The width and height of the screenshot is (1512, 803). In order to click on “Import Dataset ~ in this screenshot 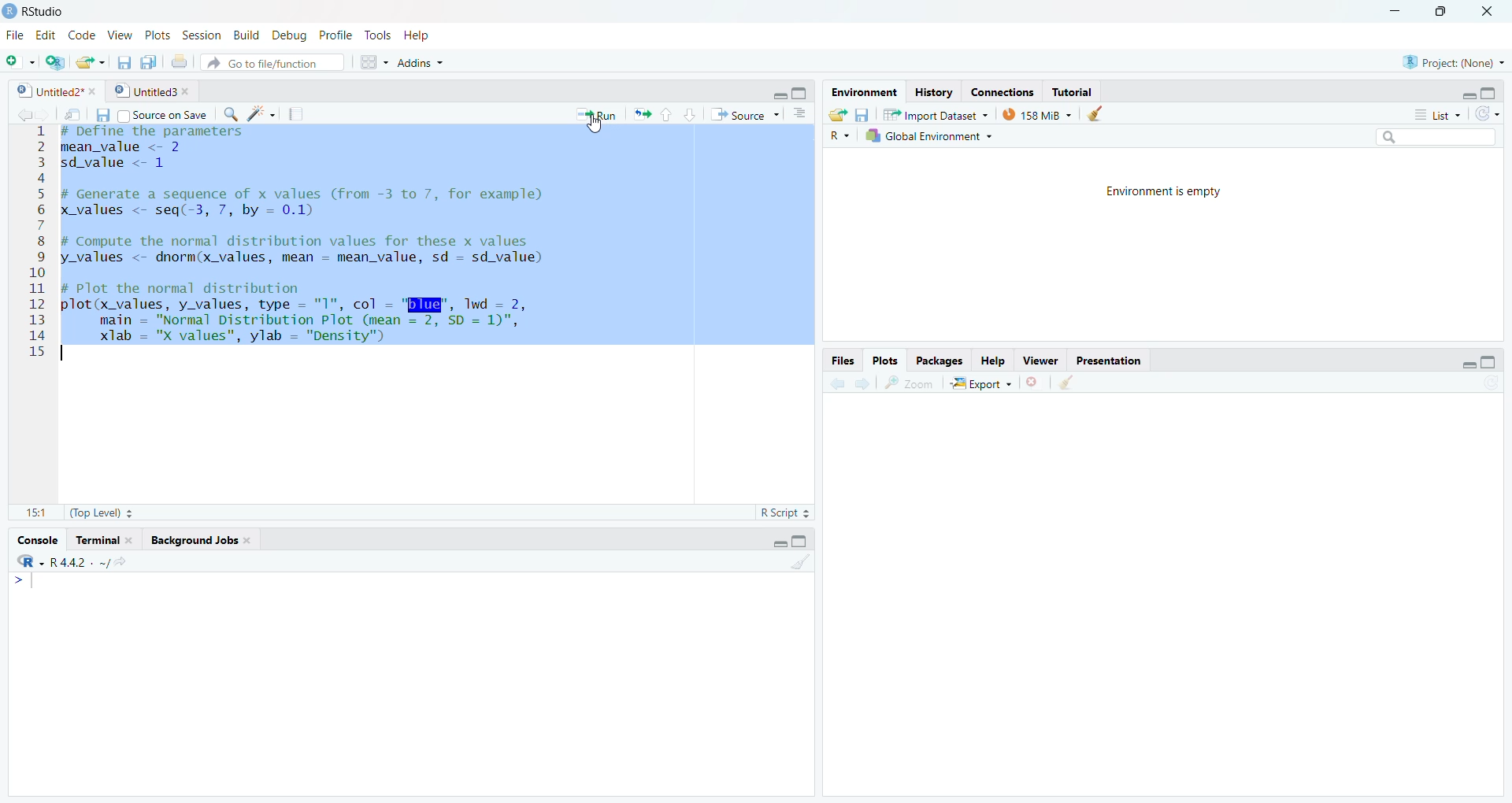, I will do `click(935, 114)`.